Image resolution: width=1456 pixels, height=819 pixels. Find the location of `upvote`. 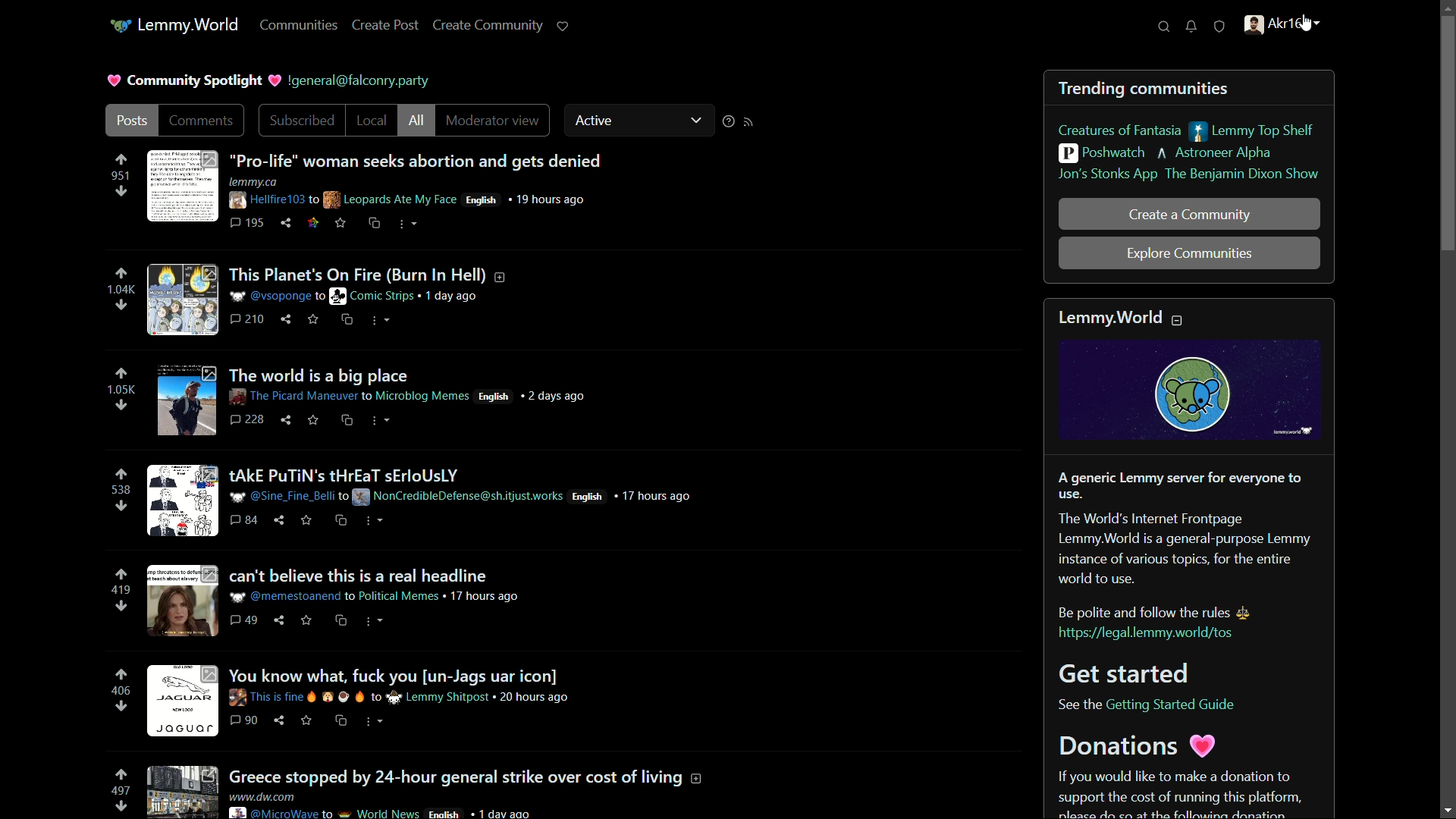

upvote is located at coordinates (121, 374).